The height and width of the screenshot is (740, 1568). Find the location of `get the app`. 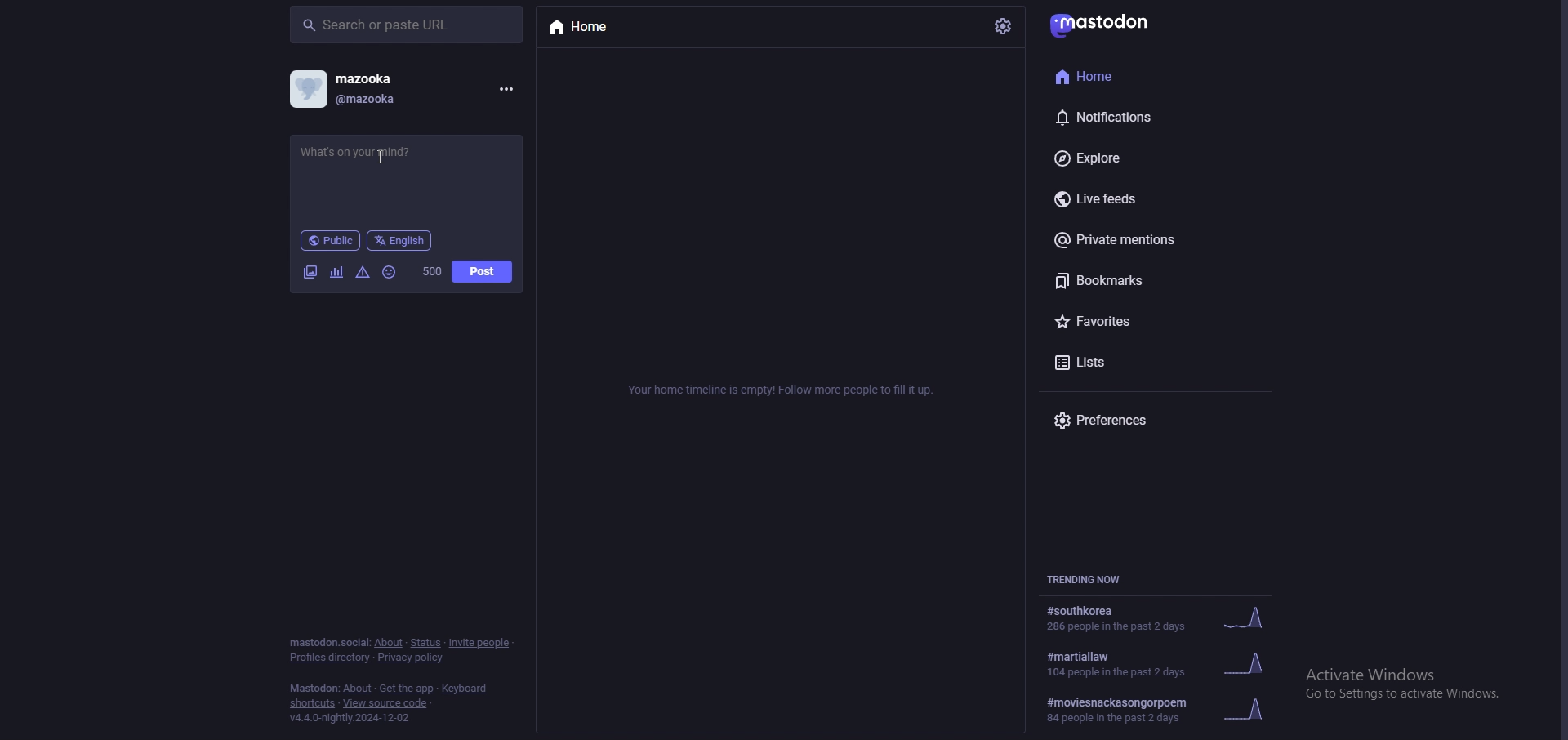

get the app is located at coordinates (408, 689).